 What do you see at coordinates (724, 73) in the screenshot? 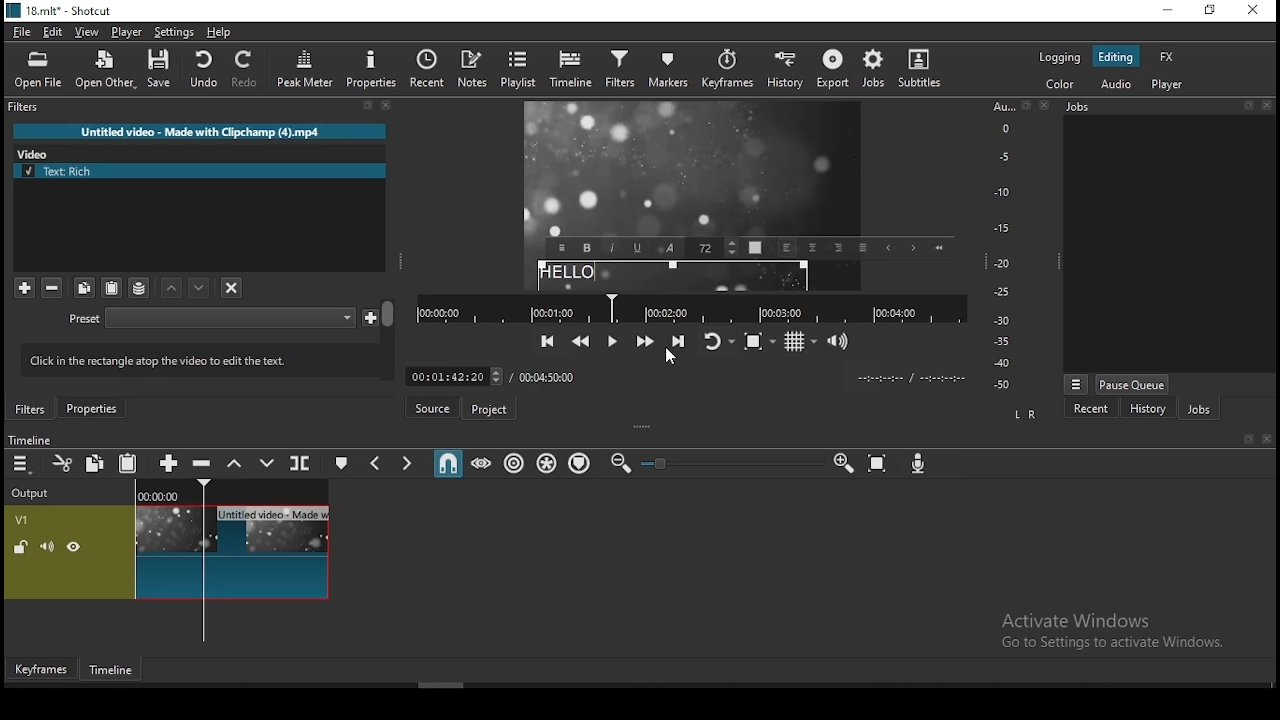
I see `keyframes` at bounding box center [724, 73].